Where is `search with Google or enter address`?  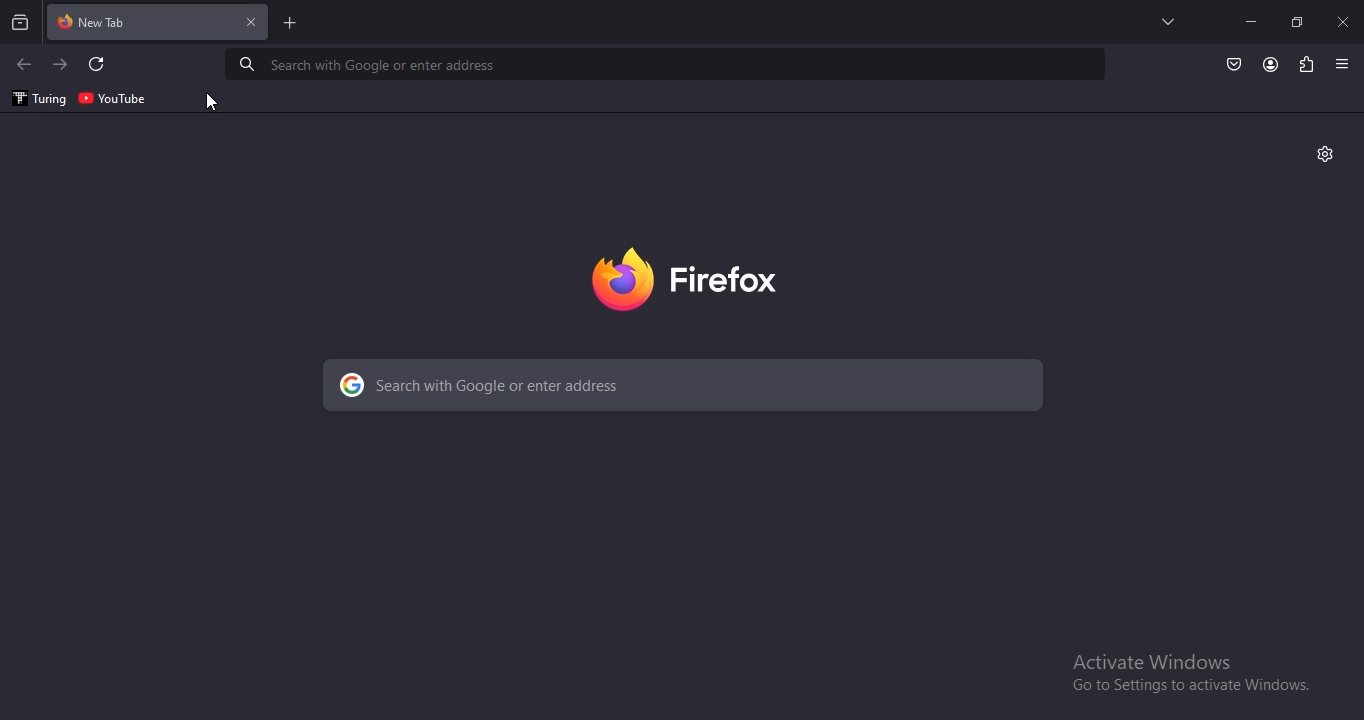
search with Google or enter address is located at coordinates (567, 382).